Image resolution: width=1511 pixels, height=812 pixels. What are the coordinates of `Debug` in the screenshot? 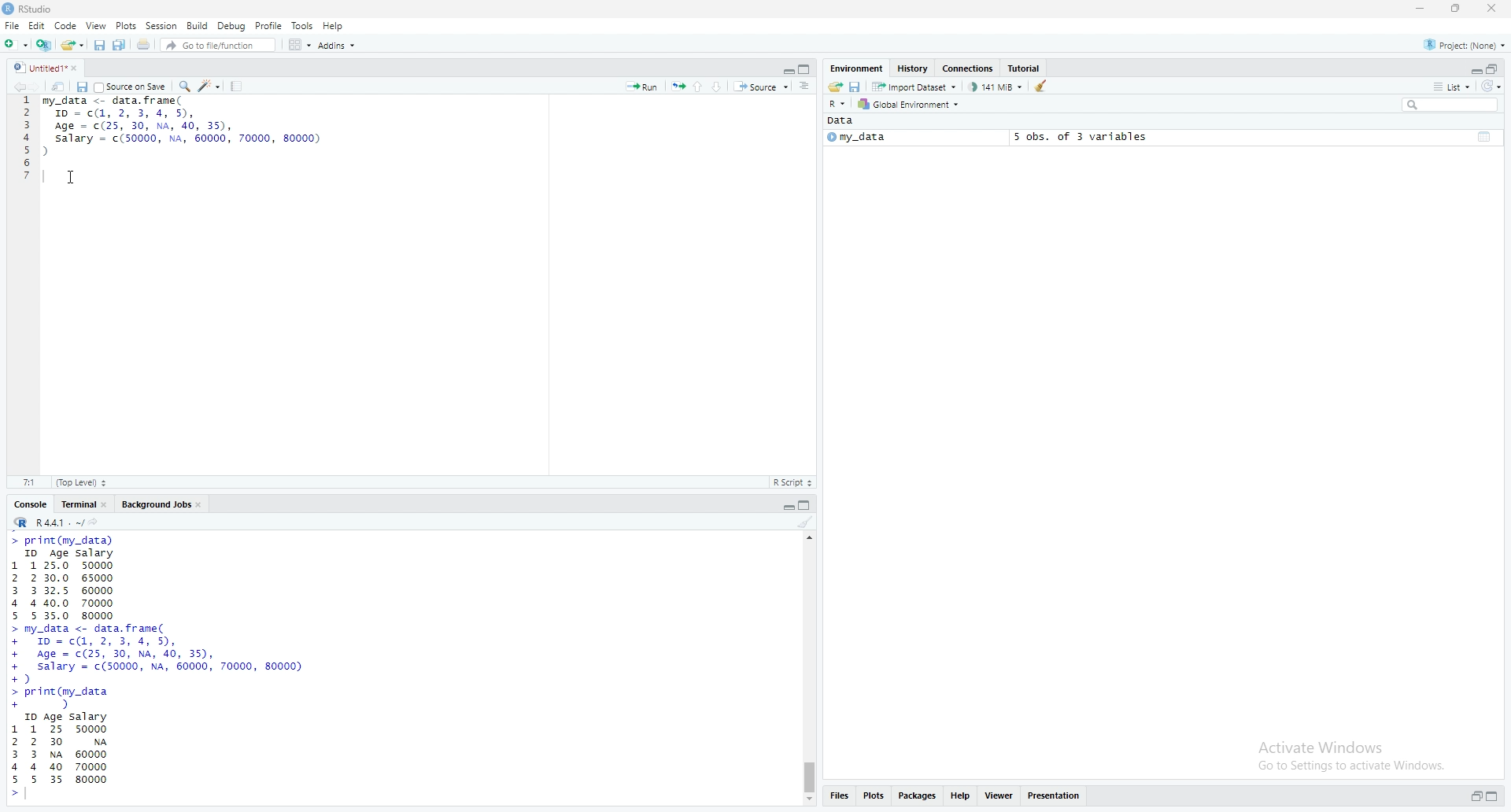 It's located at (233, 24).